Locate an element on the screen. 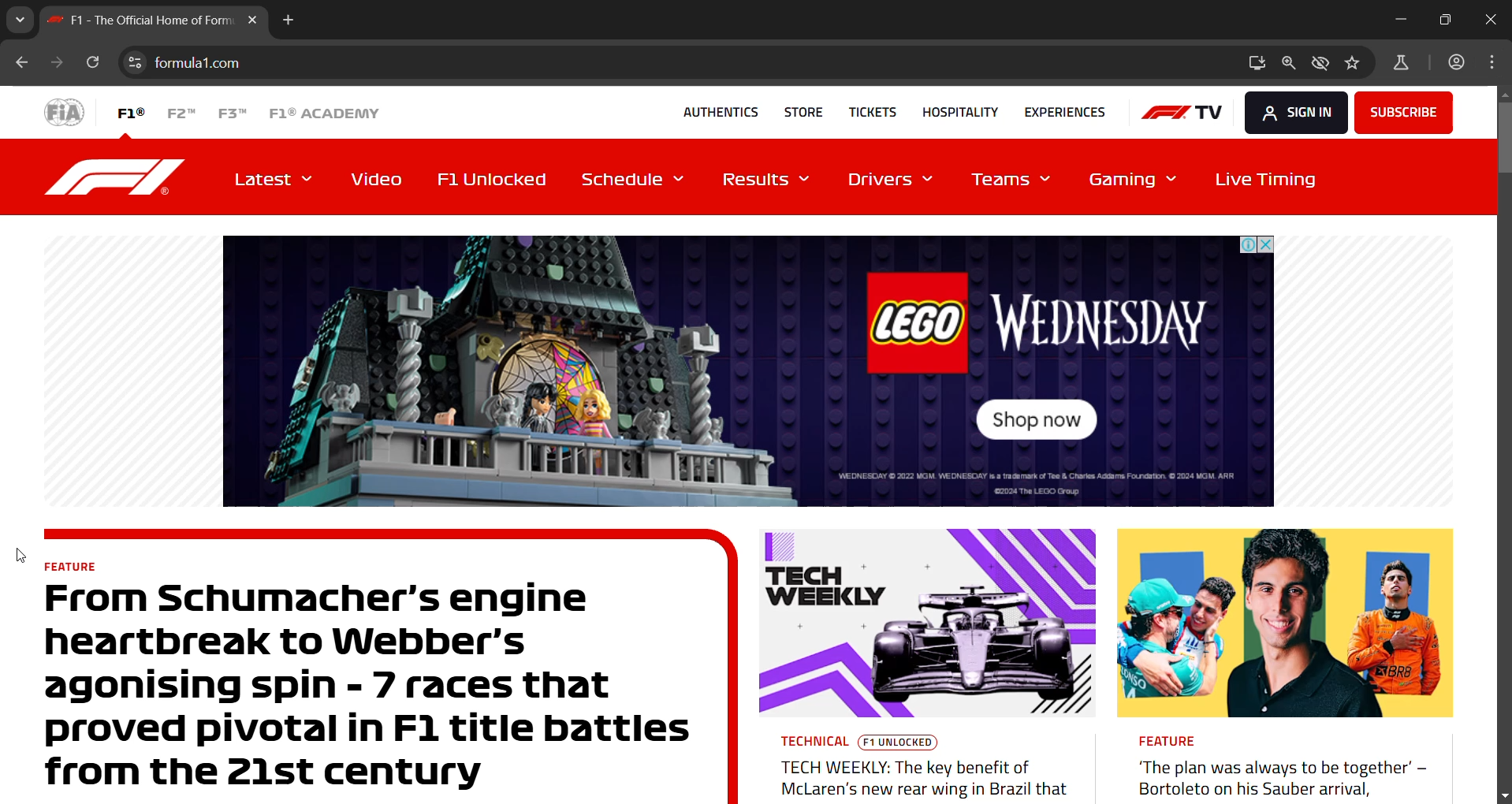 Image resolution: width=1512 pixels, height=804 pixels. Live Timing is located at coordinates (1261, 177).